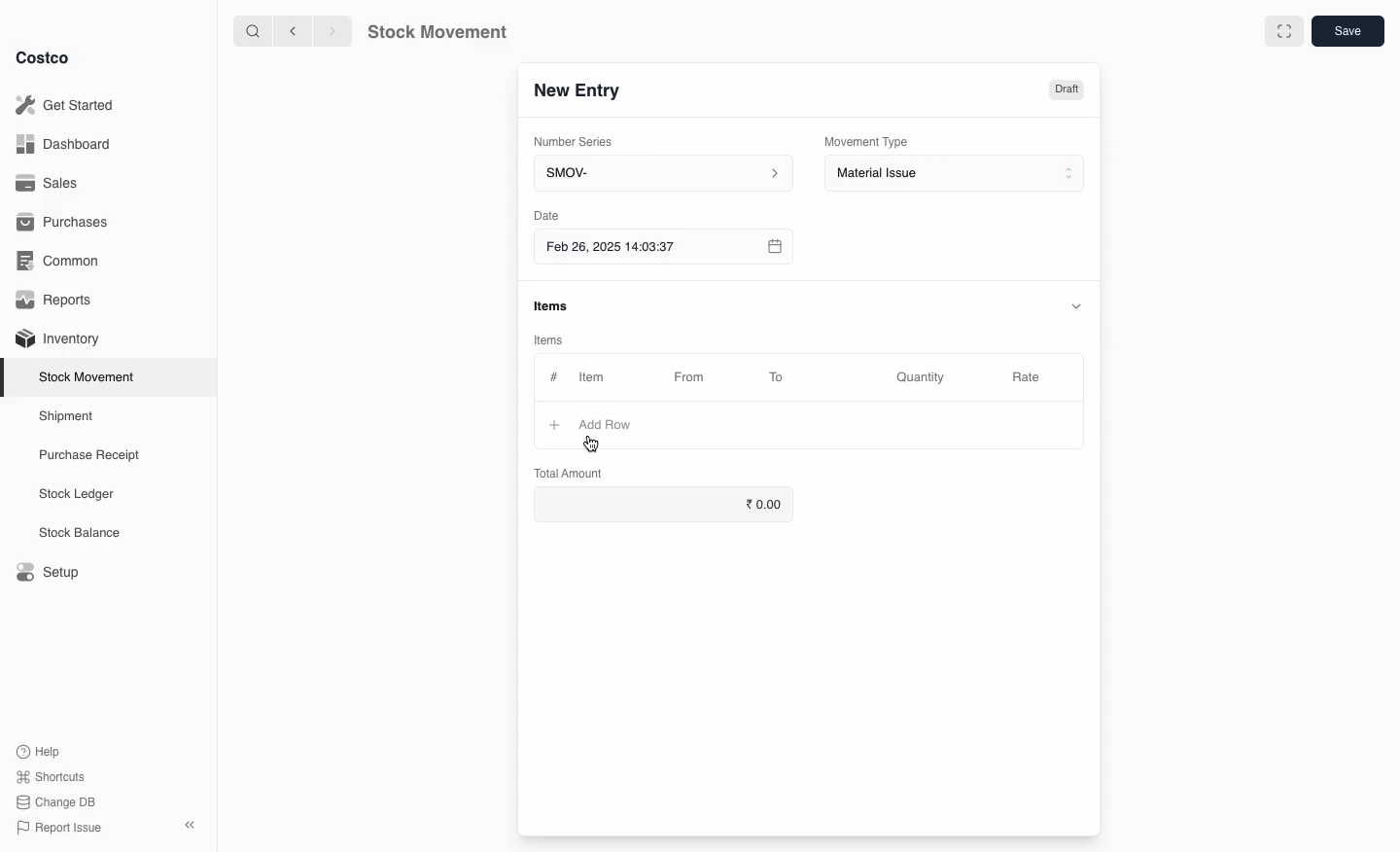 Image resolution: width=1400 pixels, height=852 pixels. I want to click on Costco, so click(44, 58).